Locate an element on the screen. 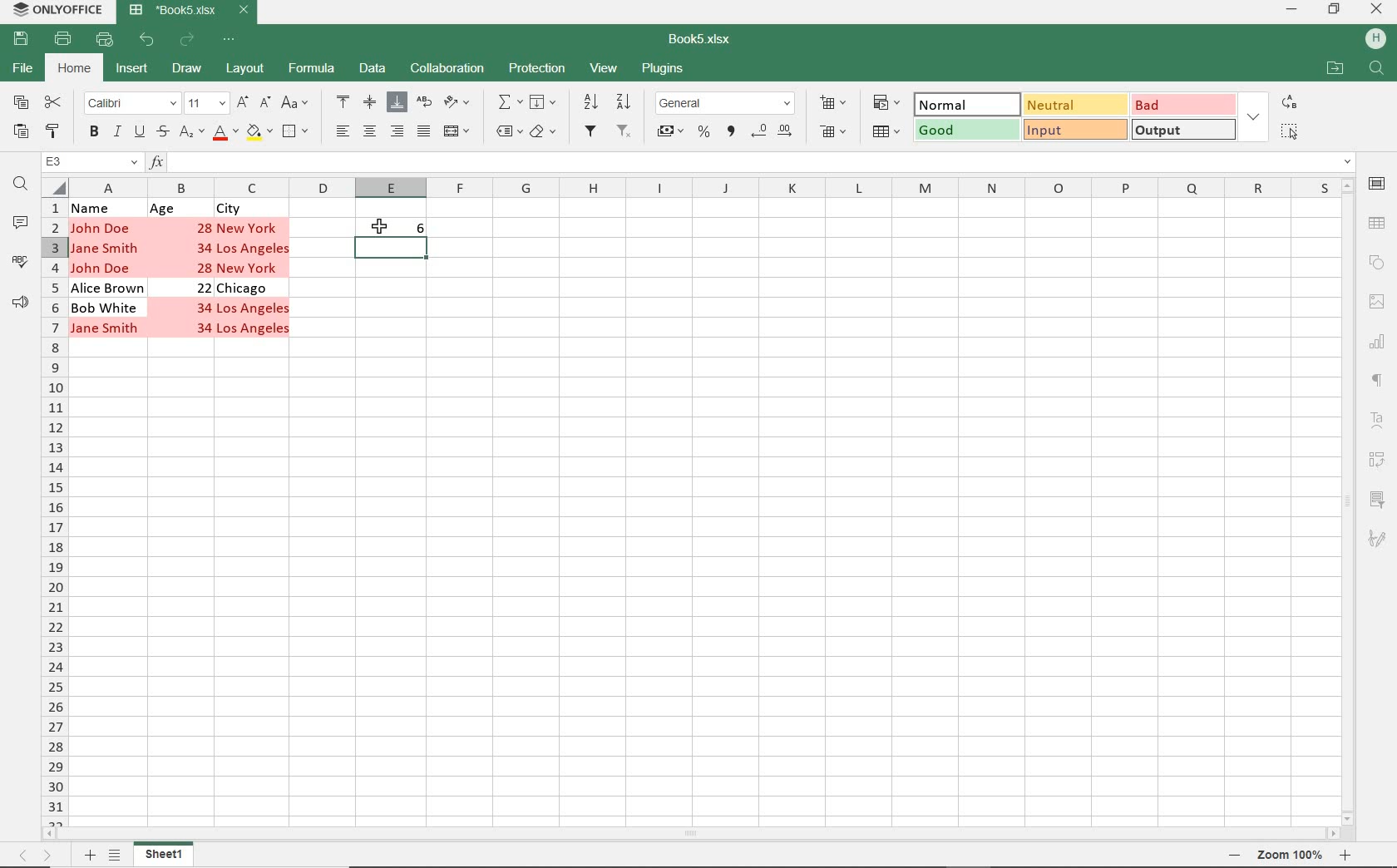 The width and height of the screenshot is (1397, 868). FIND is located at coordinates (24, 185).